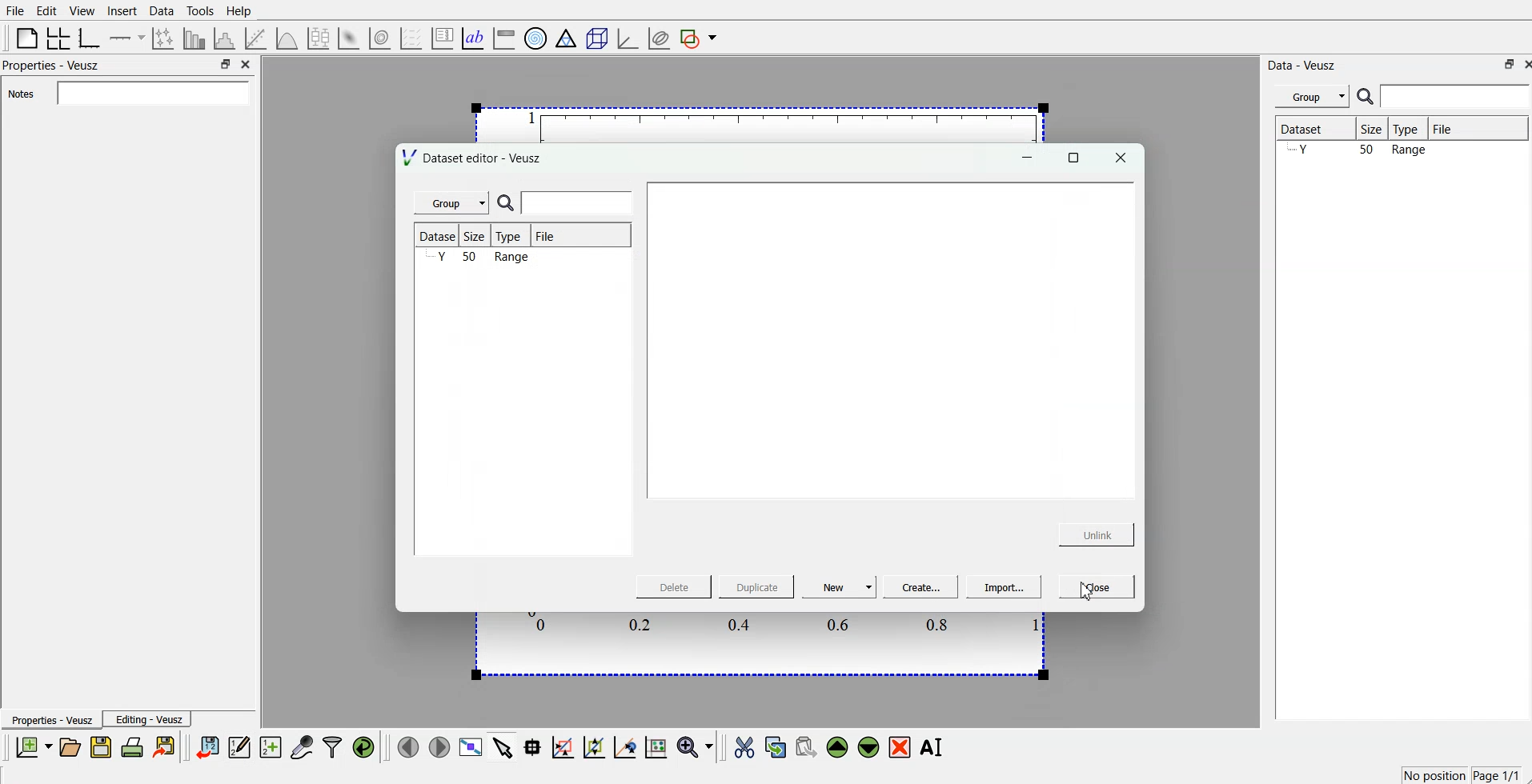 This screenshot has height=784, width=1532. Describe the element at coordinates (1432, 777) in the screenshot. I see `No position` at that location.